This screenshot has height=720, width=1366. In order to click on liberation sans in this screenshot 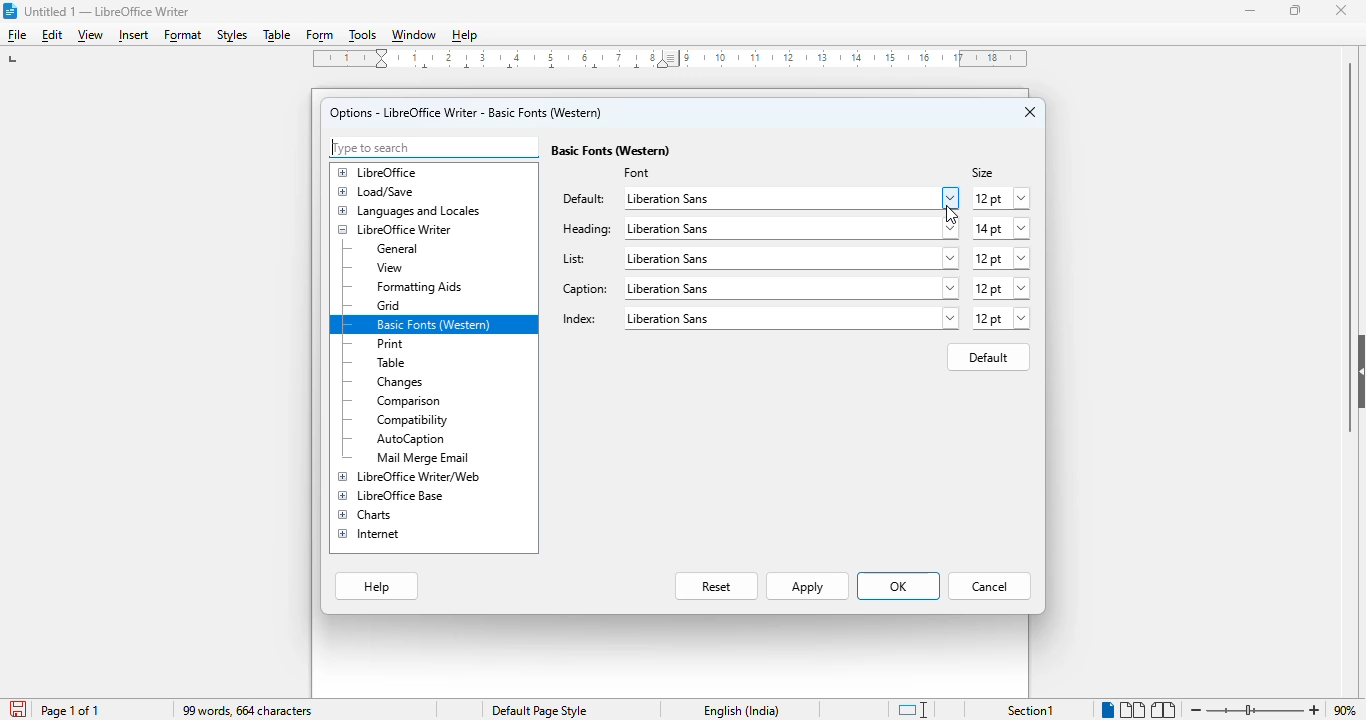, I will do `click(791, 228)`.